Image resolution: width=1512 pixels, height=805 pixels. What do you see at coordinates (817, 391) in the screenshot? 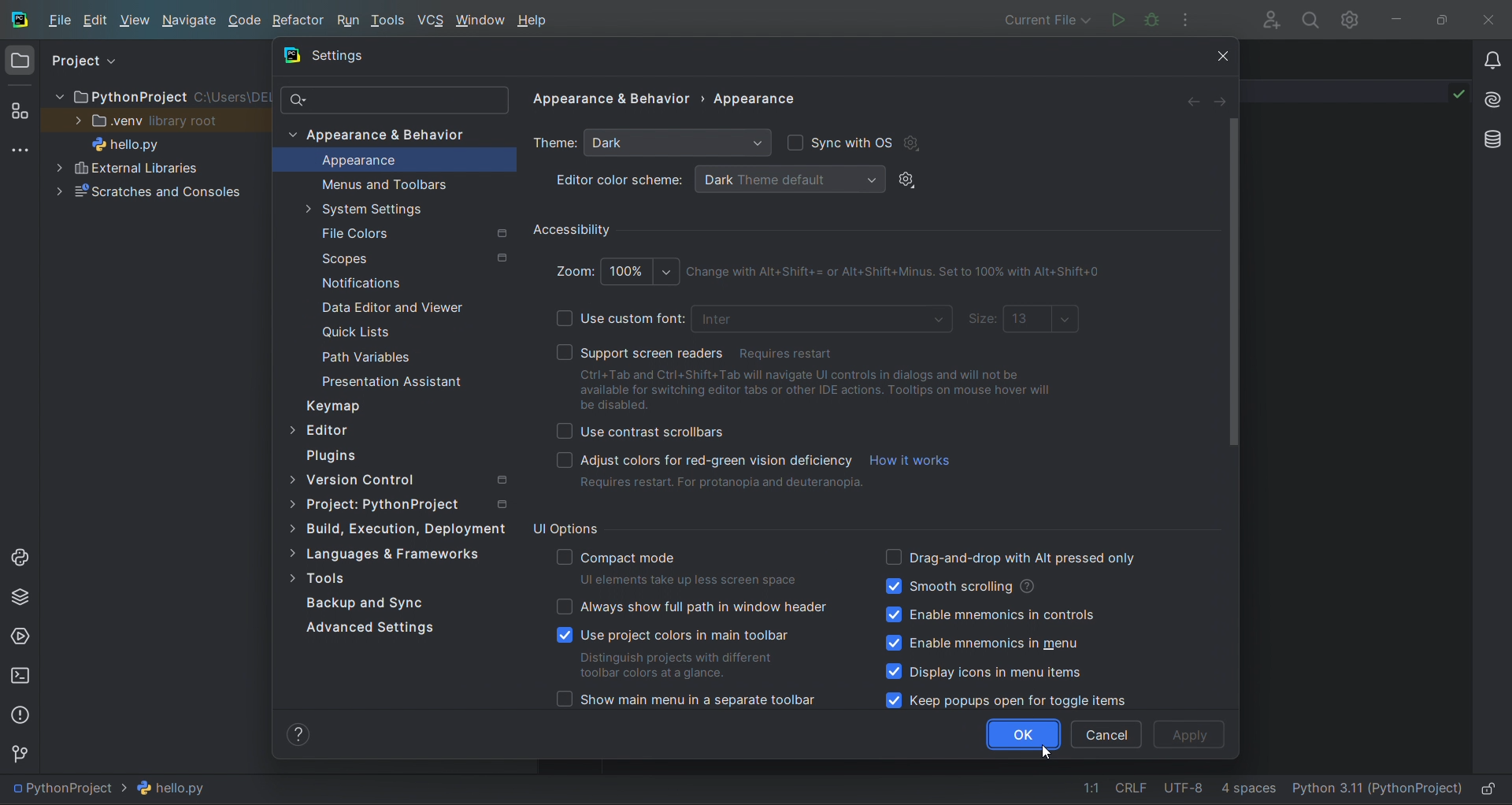
I see `option description` at bounding box center [817, 391].